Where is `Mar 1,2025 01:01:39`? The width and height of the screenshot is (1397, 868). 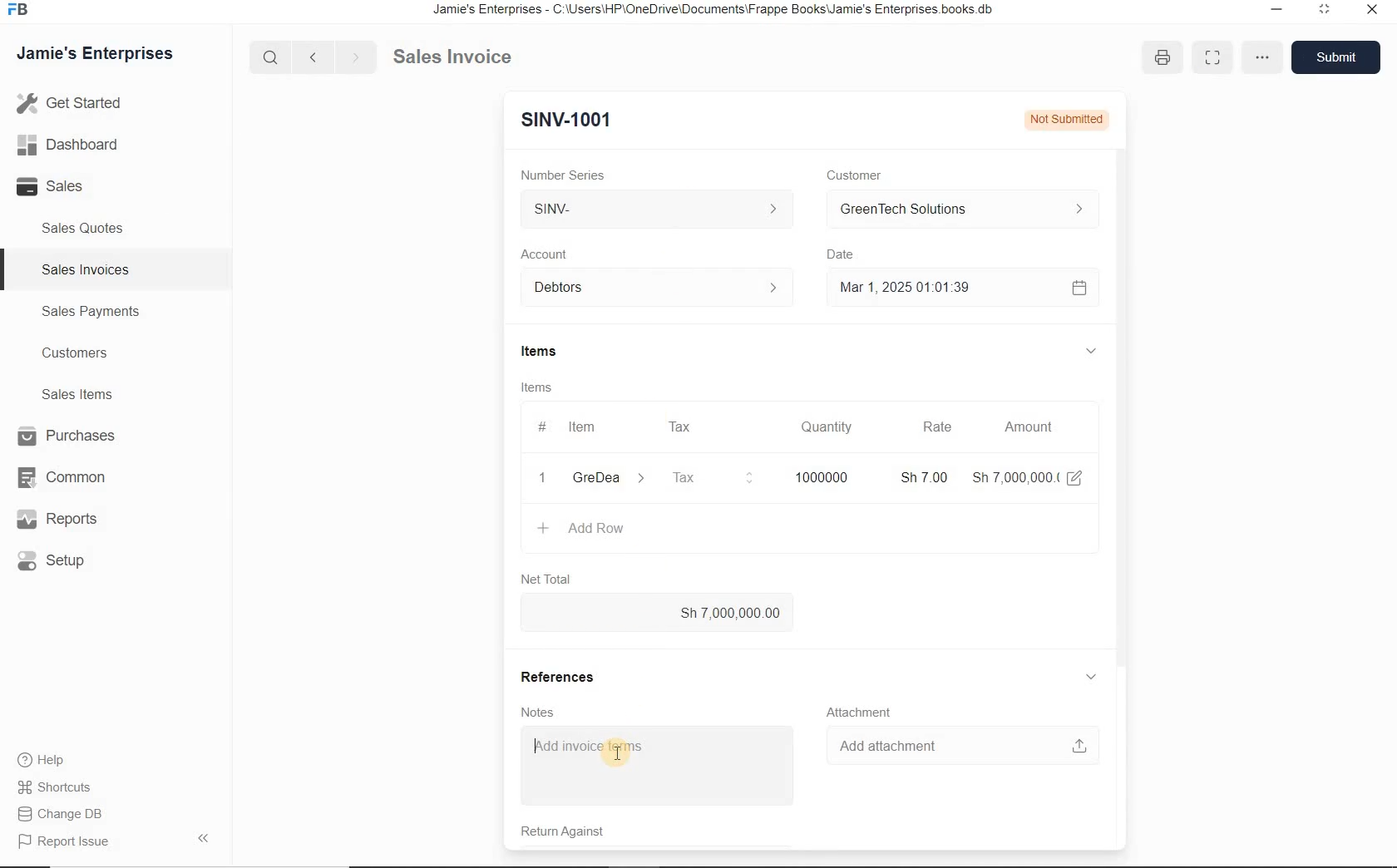 Mar 1,2025 01:01:39 is located at coordinates (940, 288).